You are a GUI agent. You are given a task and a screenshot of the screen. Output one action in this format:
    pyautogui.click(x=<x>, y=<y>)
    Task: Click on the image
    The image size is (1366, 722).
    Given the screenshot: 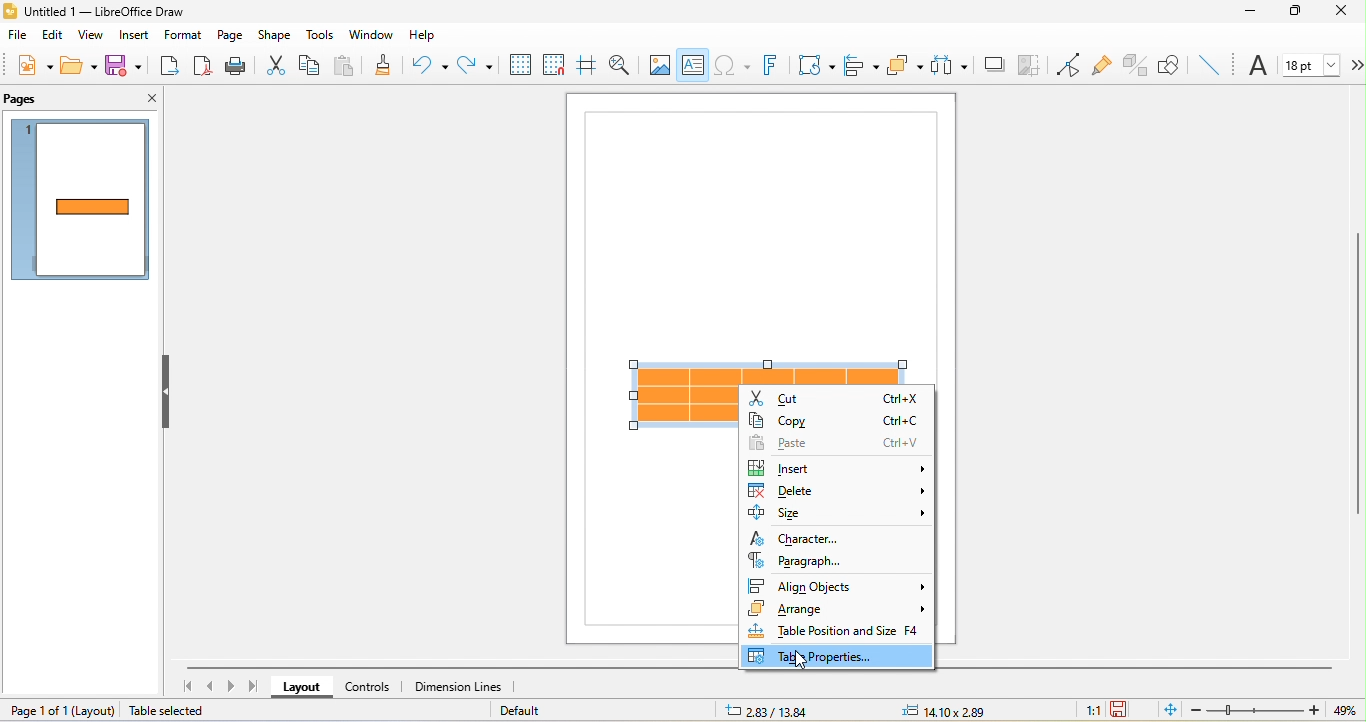 What is the action you would take?
    pyautogui.click(x=659, y=65)
    